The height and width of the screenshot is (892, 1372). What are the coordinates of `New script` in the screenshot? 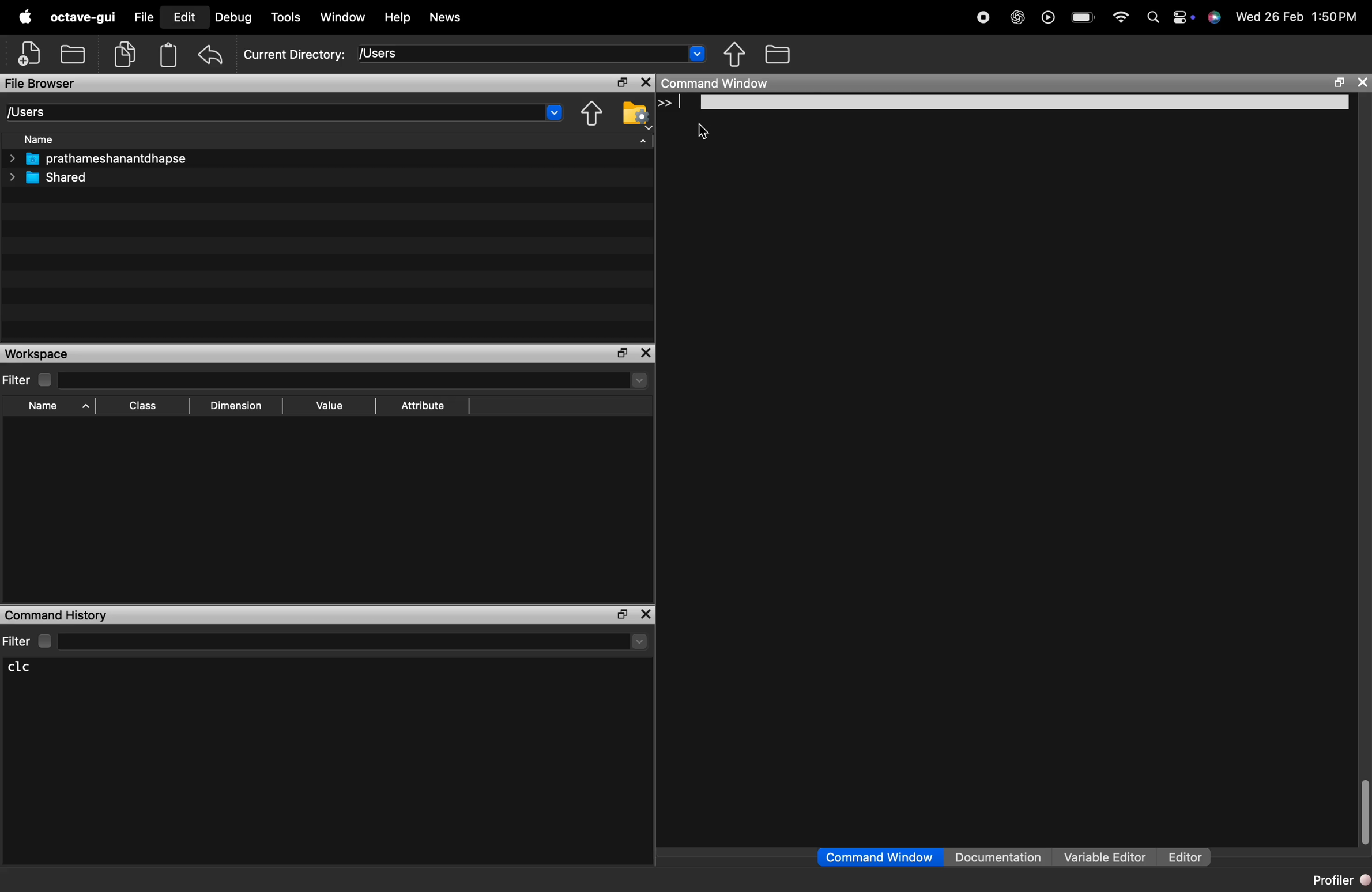 It's located at (31, 54).